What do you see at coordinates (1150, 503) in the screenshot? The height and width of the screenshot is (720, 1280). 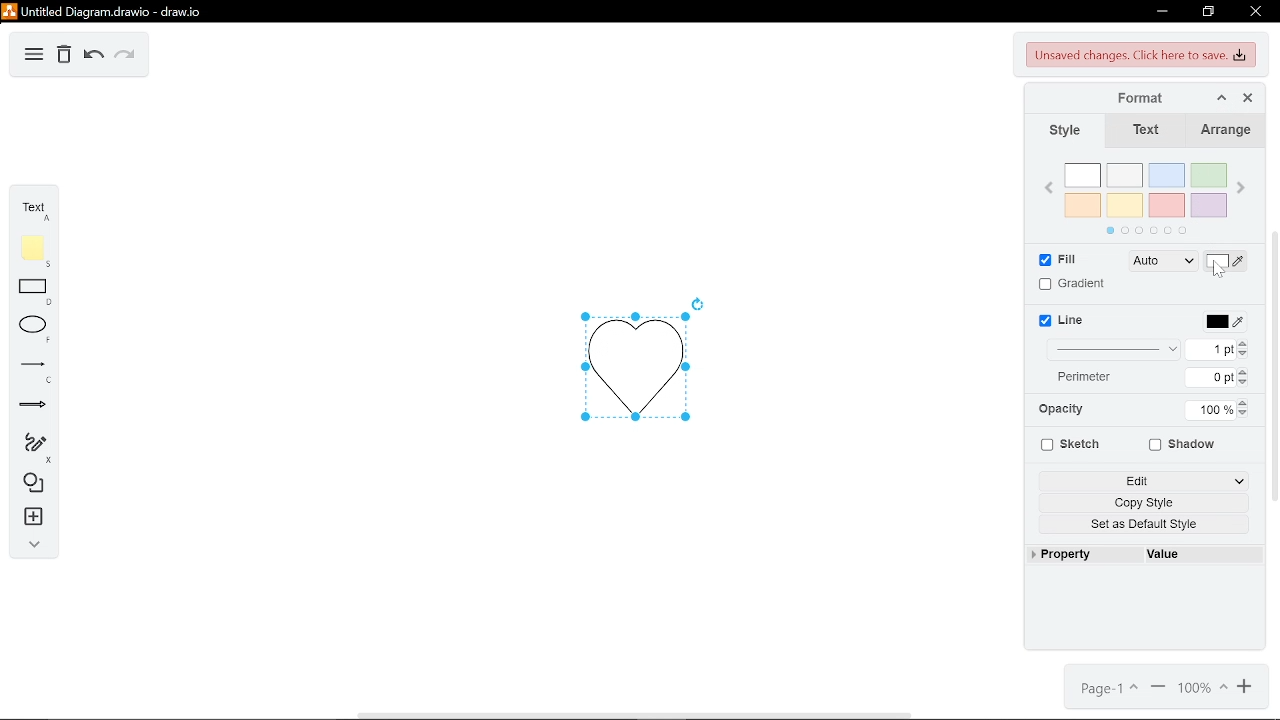 I see `copy style` at bounding box center [1150, 503].